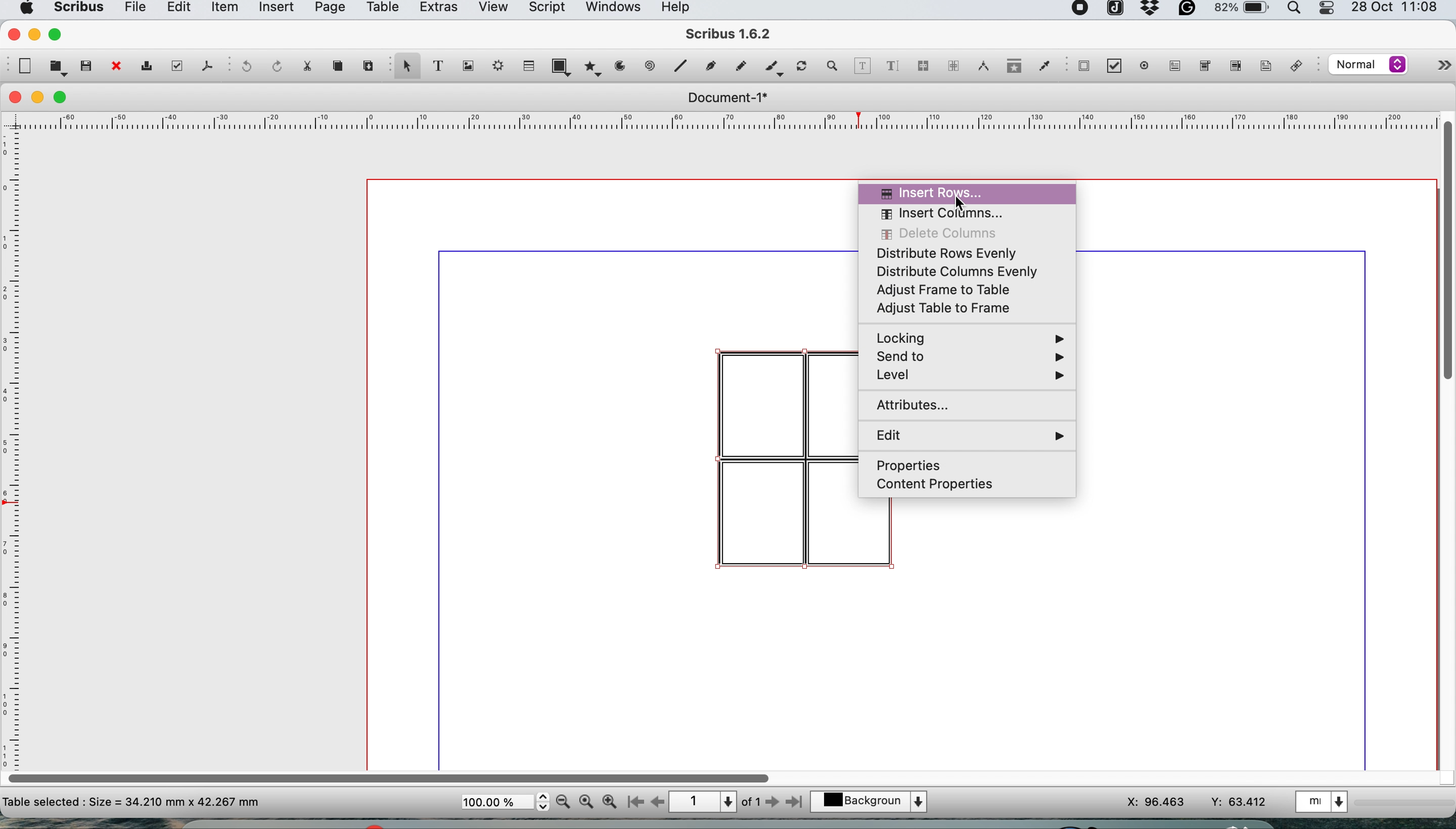  What do you see at coordinates (1172, 66) in the screenshot?
I see `pdf text field` at bounding box center [1172, 66].